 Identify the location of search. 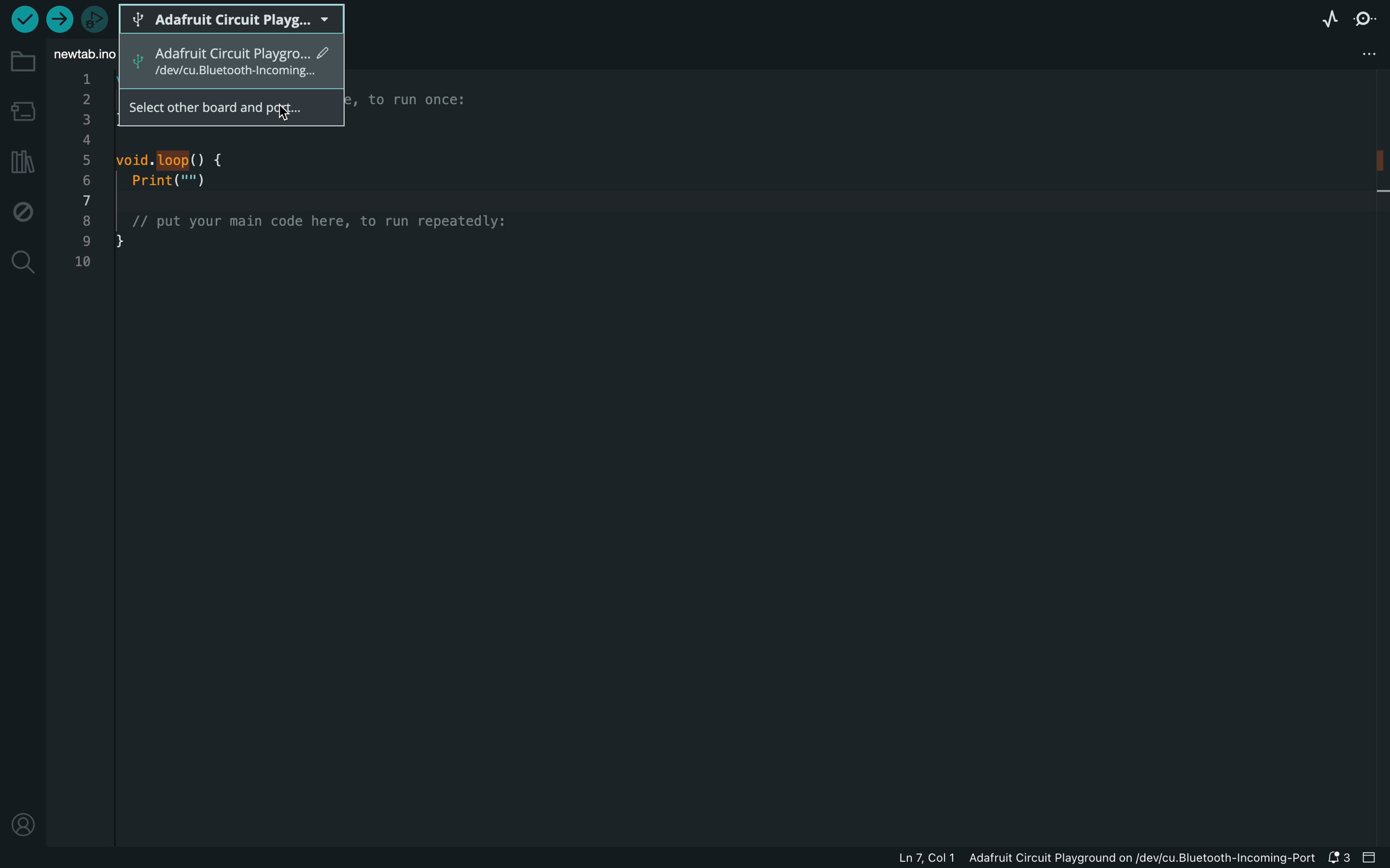
(22, 261).